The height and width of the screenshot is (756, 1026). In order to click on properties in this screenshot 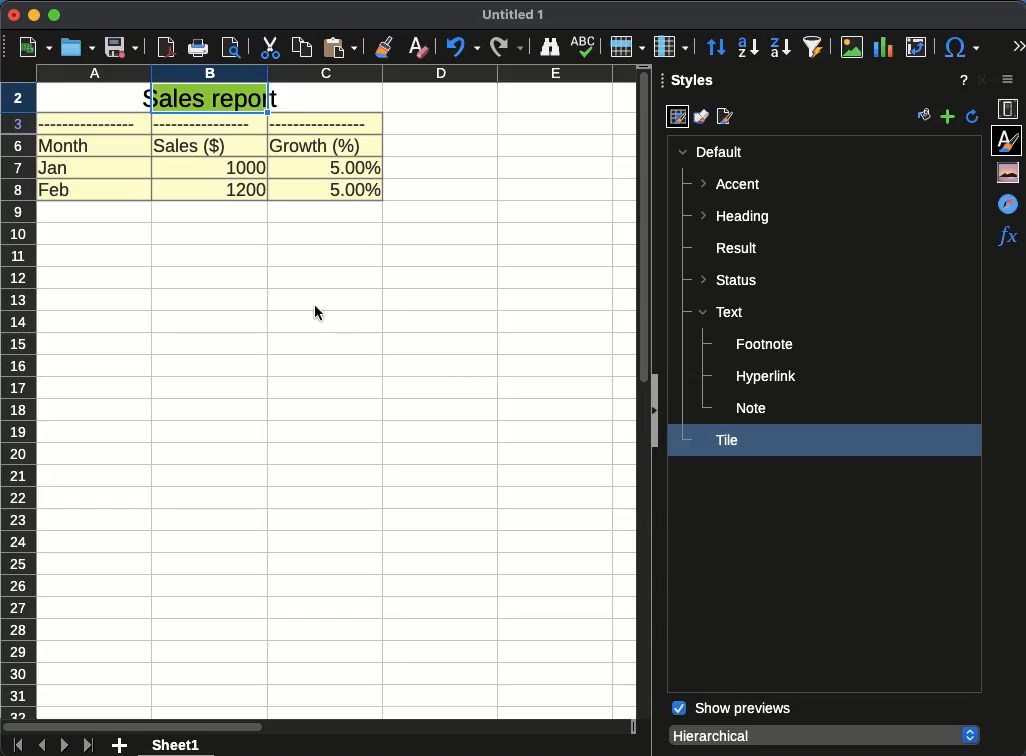, I will do `click(1011, 110)`.